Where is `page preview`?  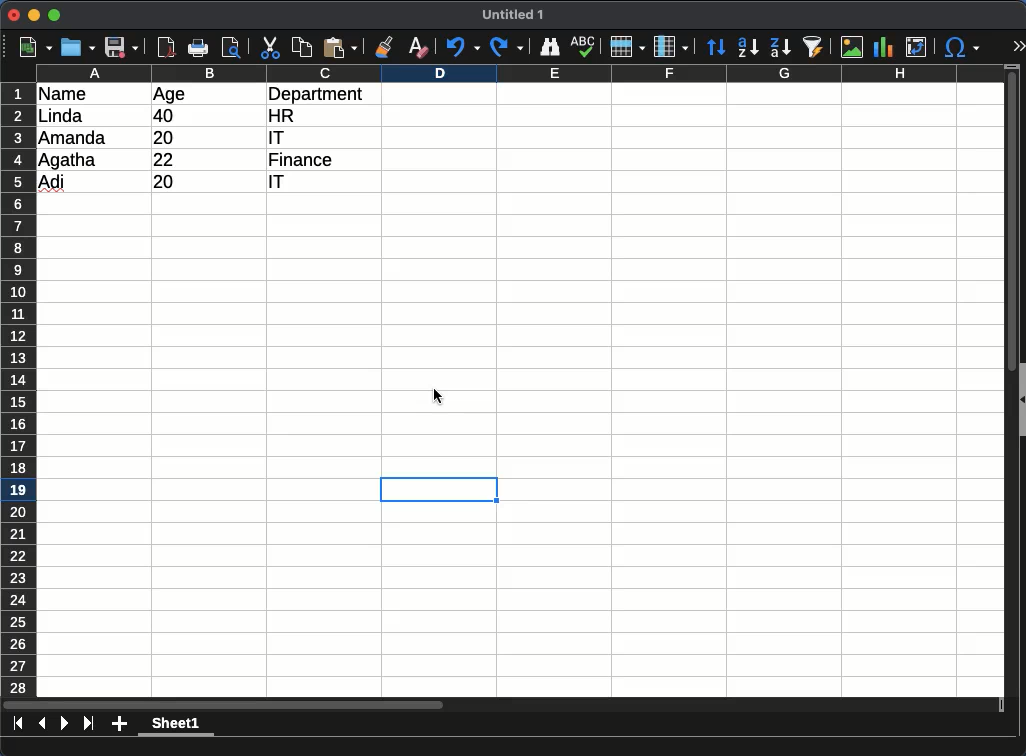 page preview is located at coordinates (235, 47).